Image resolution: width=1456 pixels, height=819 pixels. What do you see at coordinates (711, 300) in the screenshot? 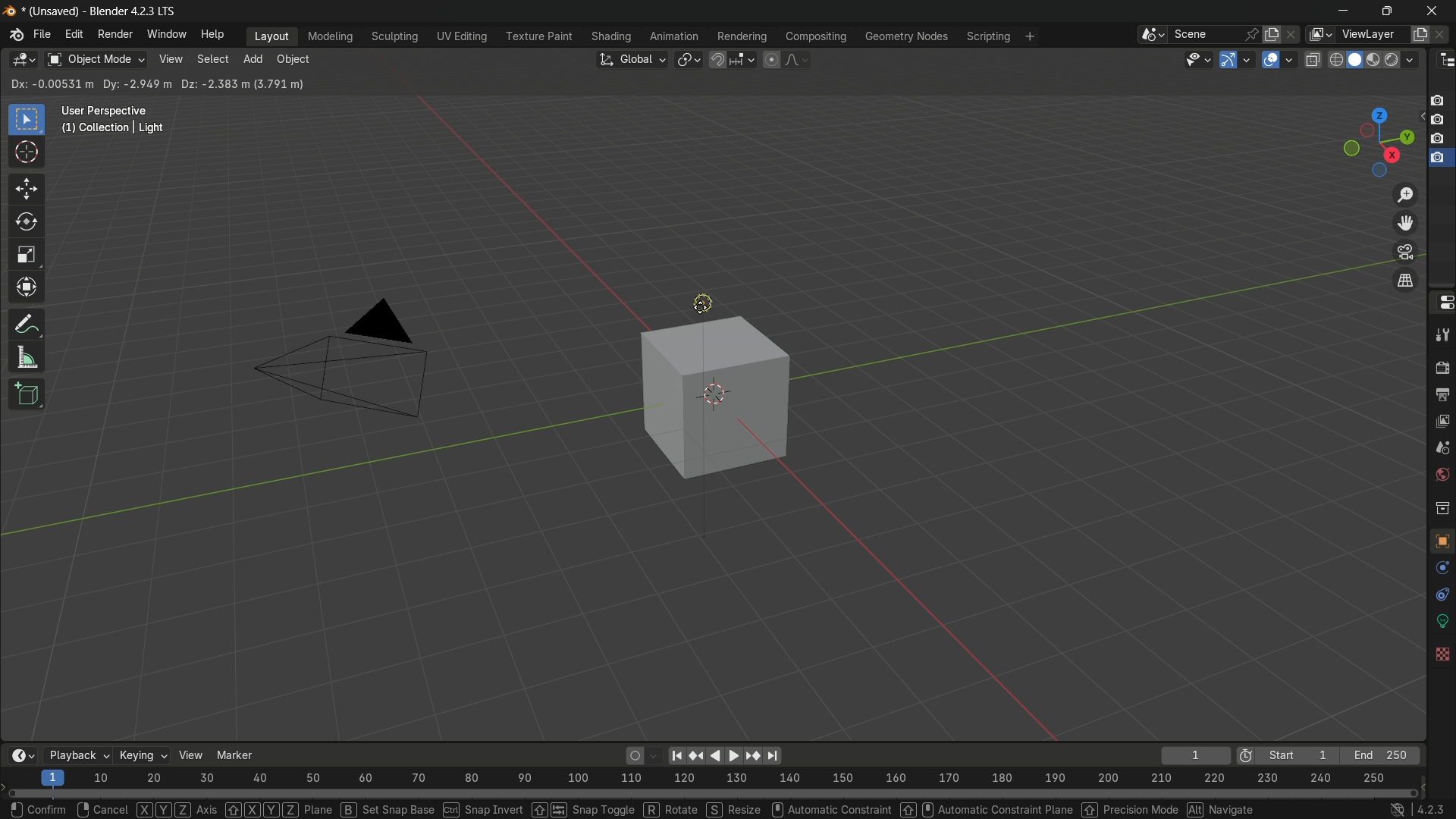
I see `light` at bounding box center [711, 300].